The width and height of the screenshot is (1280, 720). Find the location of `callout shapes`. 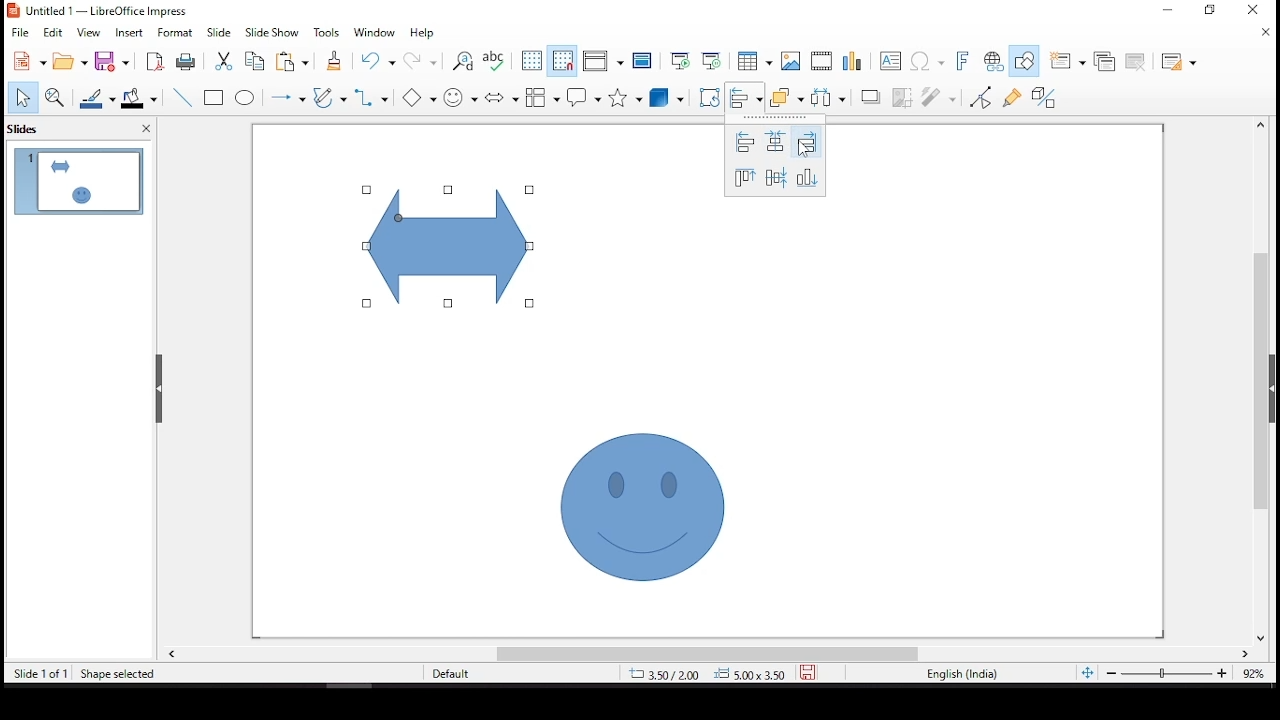

callout shapes is located at coordinates (585, 99).